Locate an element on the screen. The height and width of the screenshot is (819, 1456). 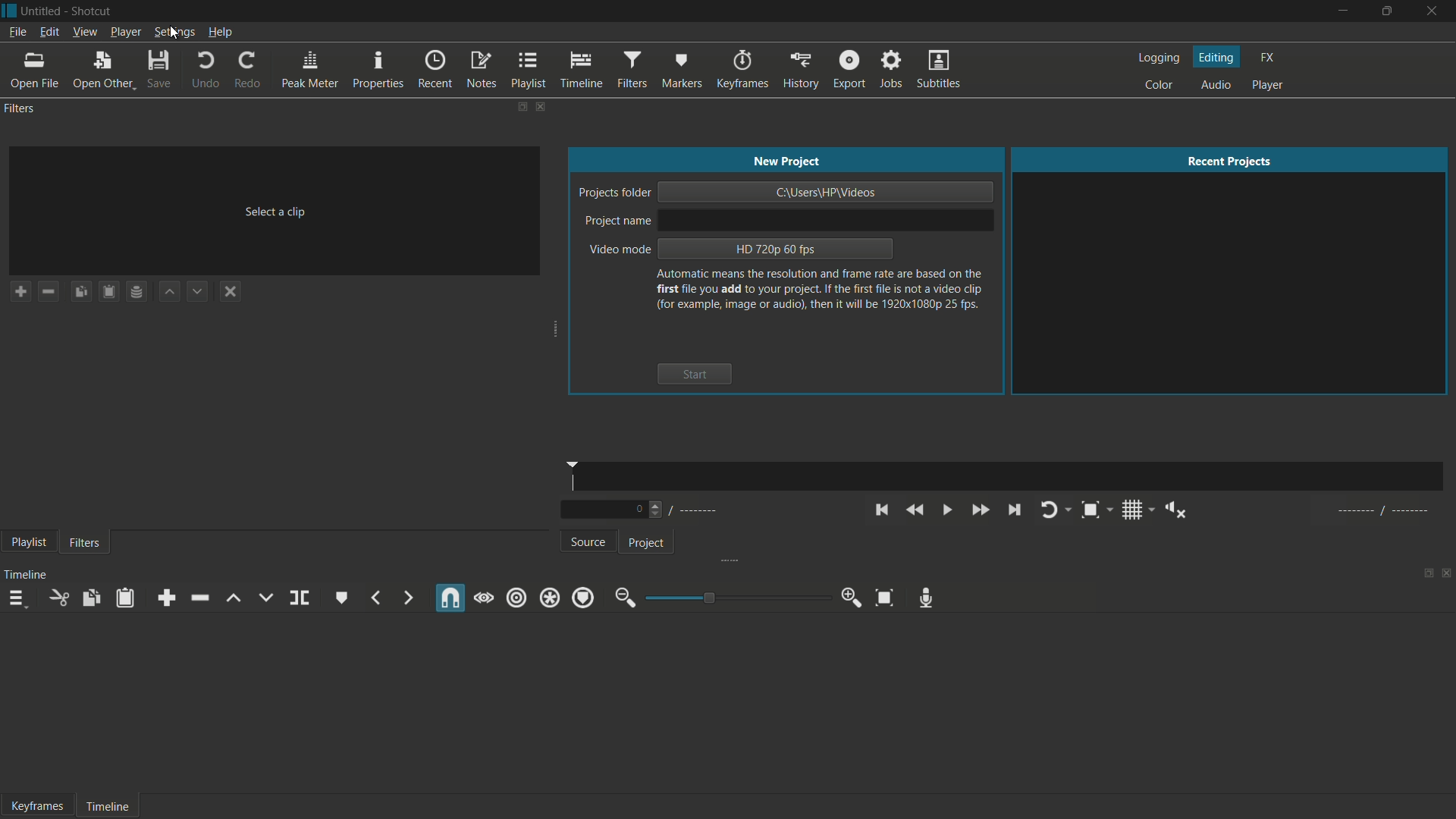
previous marker is located at coordinates (375, 599).